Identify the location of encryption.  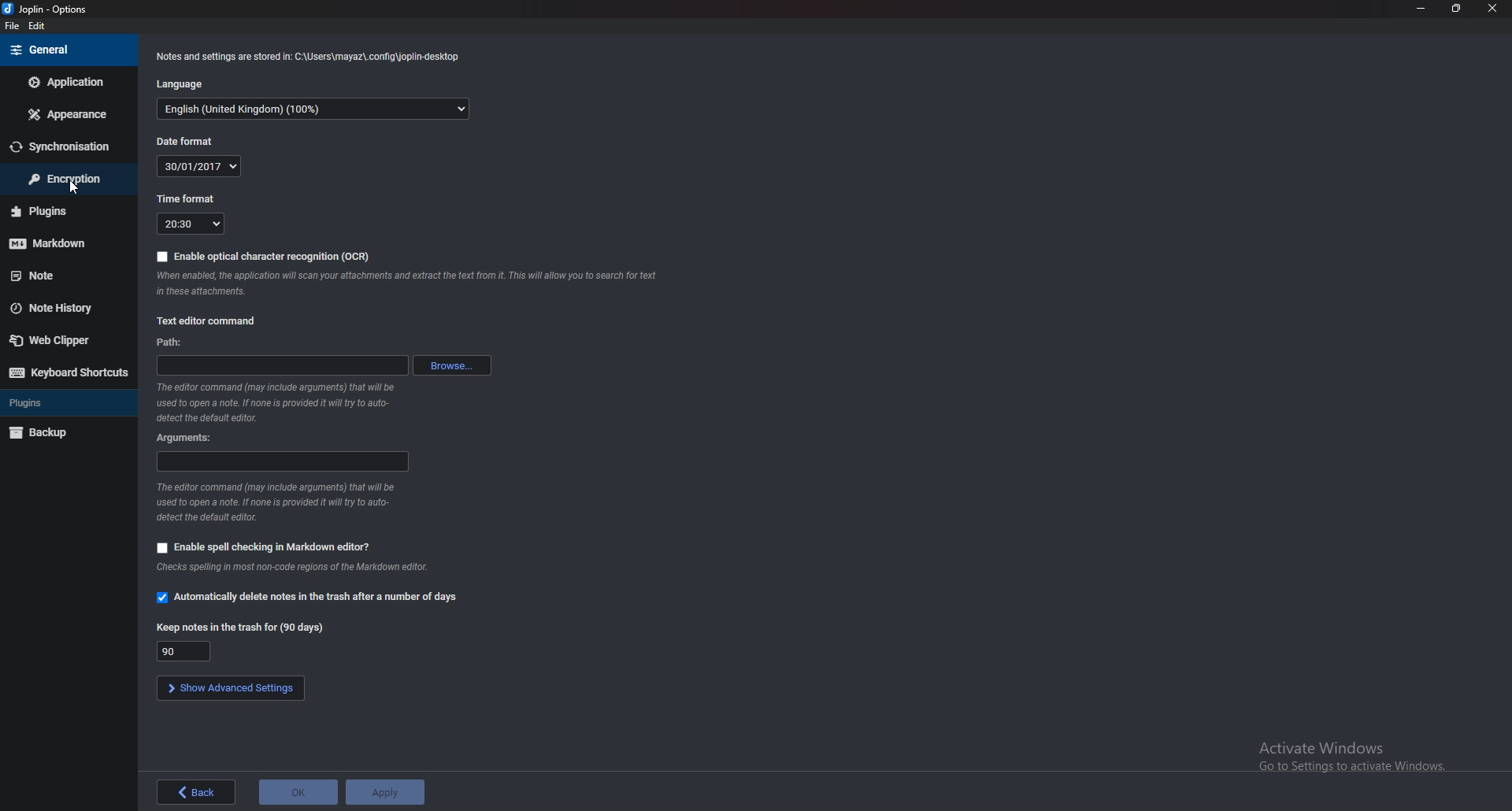
(66, 177).